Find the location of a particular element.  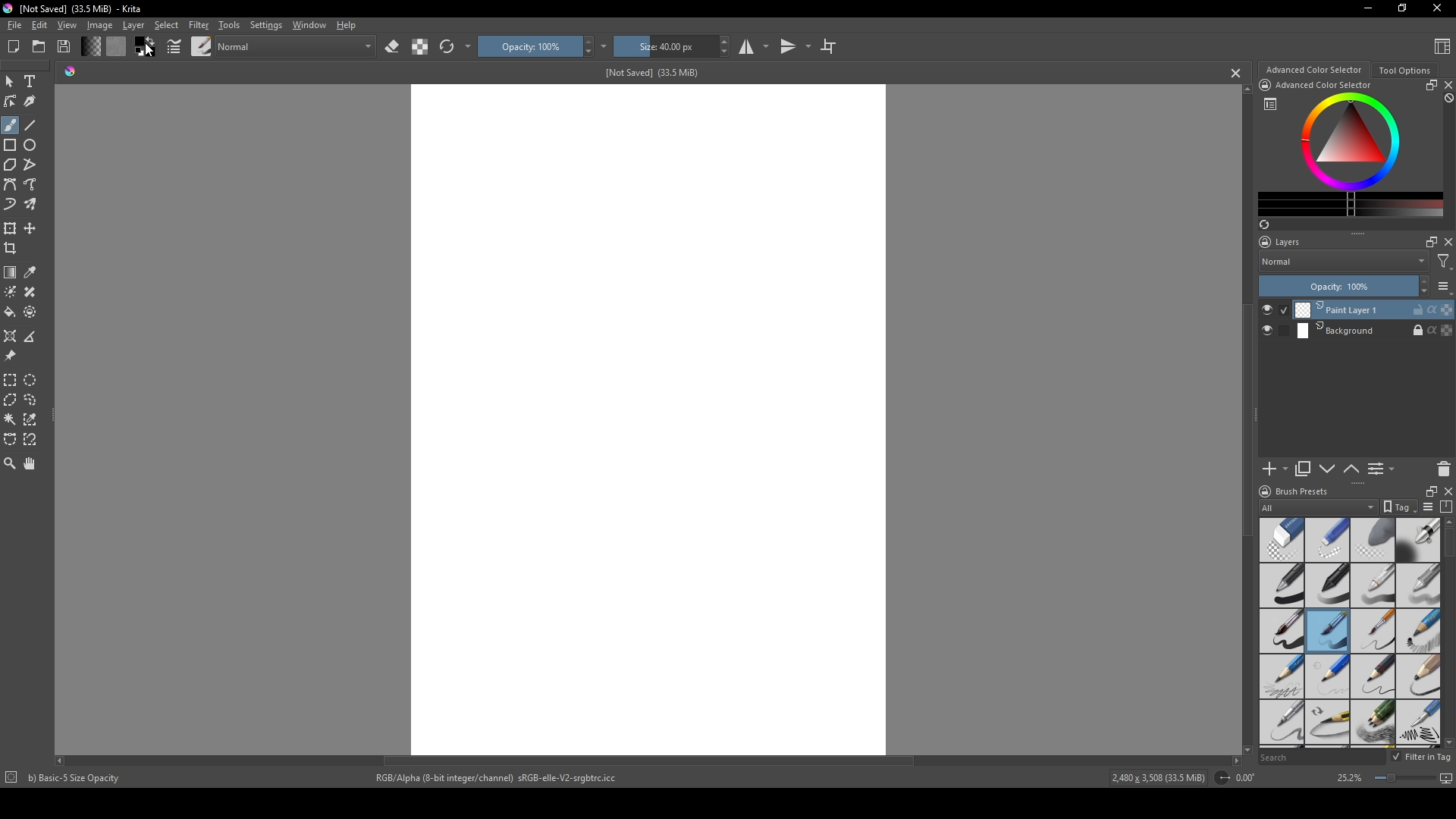

list is located at coordinates (1427, 507).